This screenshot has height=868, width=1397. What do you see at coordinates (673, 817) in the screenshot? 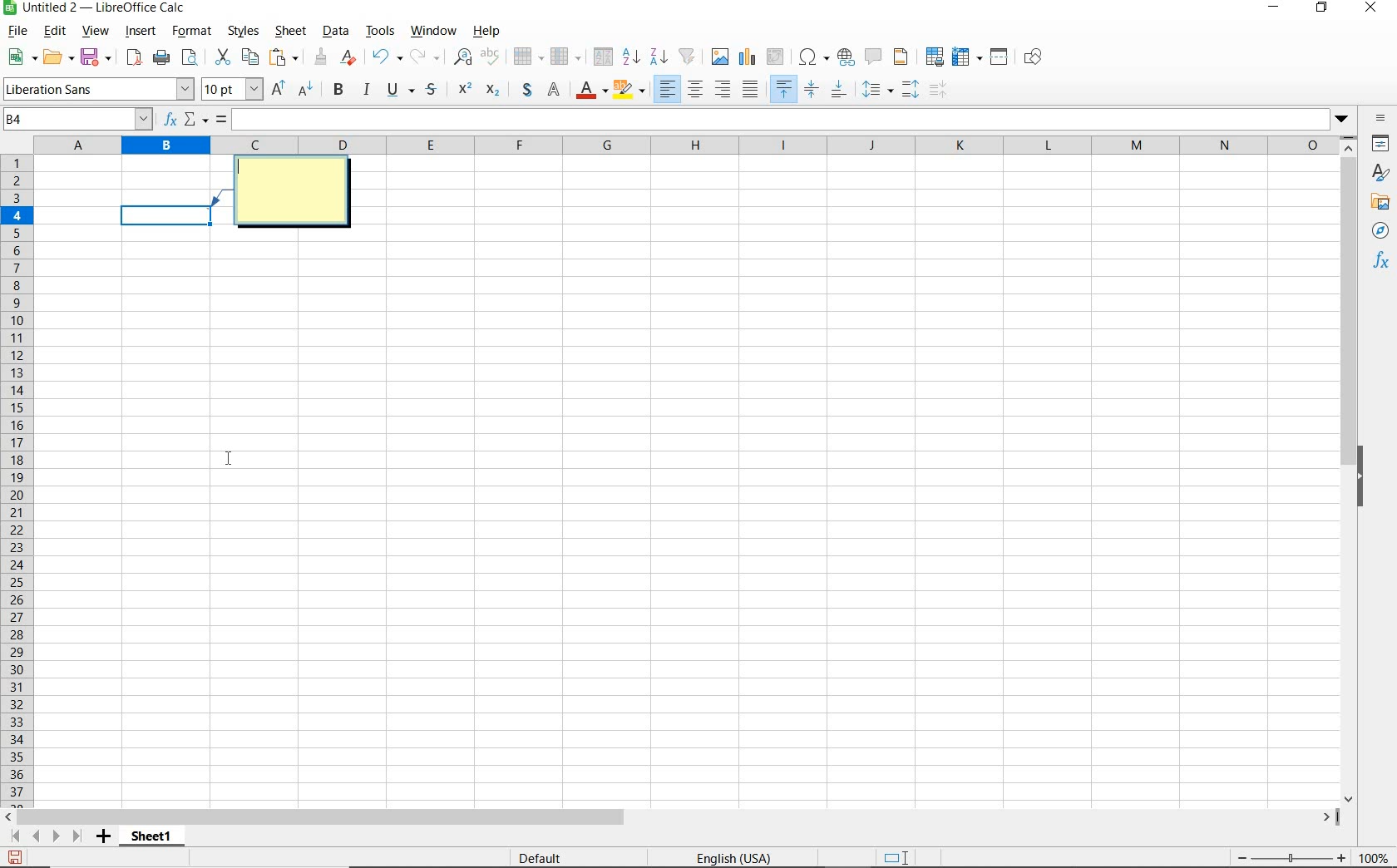
I see `scrollbar` at bounding box center [673, 817].